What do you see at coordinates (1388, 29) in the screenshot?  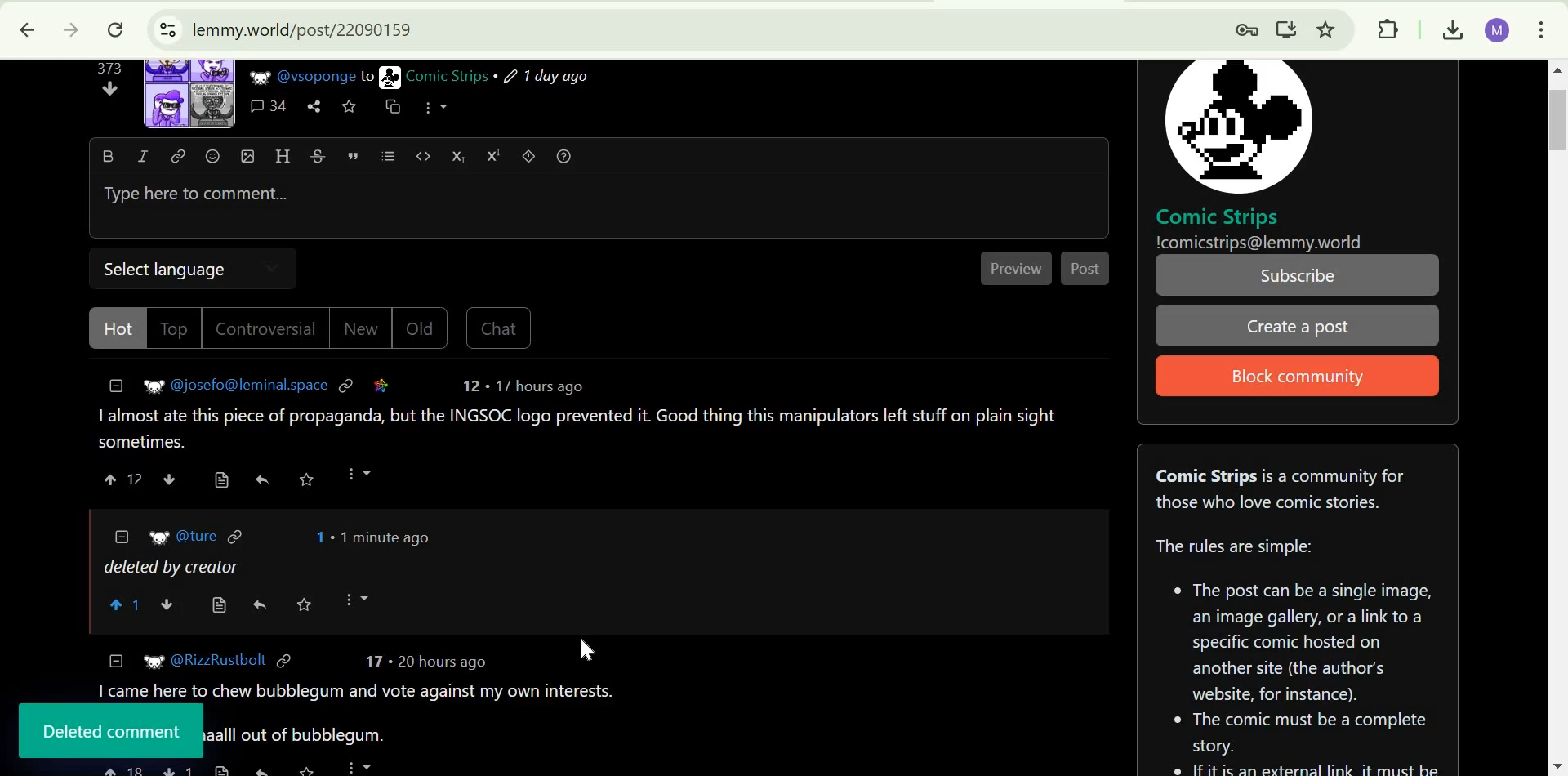 I see `Extensions` at bounding box center [1388, 29].